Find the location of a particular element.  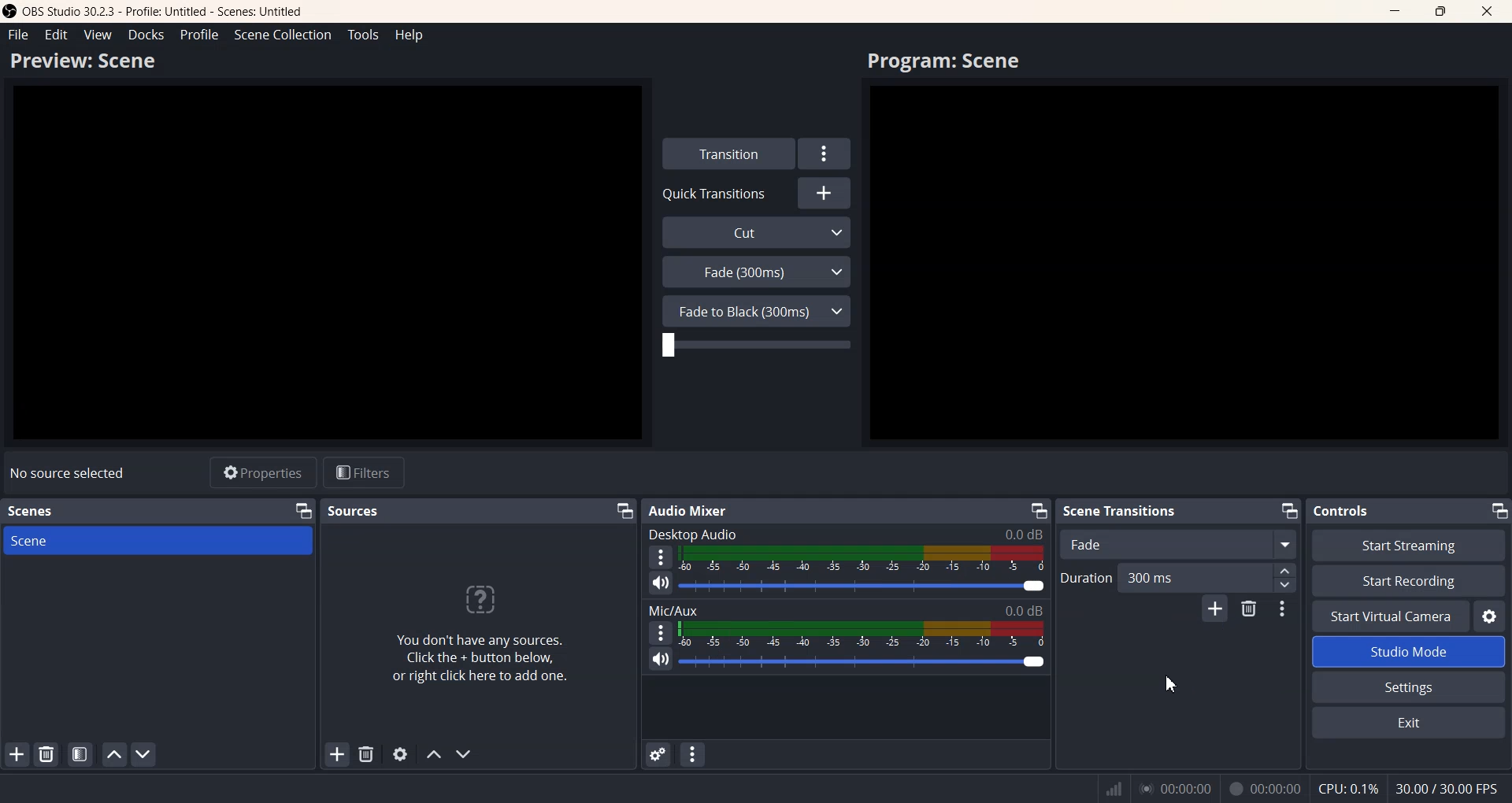

Settings is located at coordinates (1408, 687).